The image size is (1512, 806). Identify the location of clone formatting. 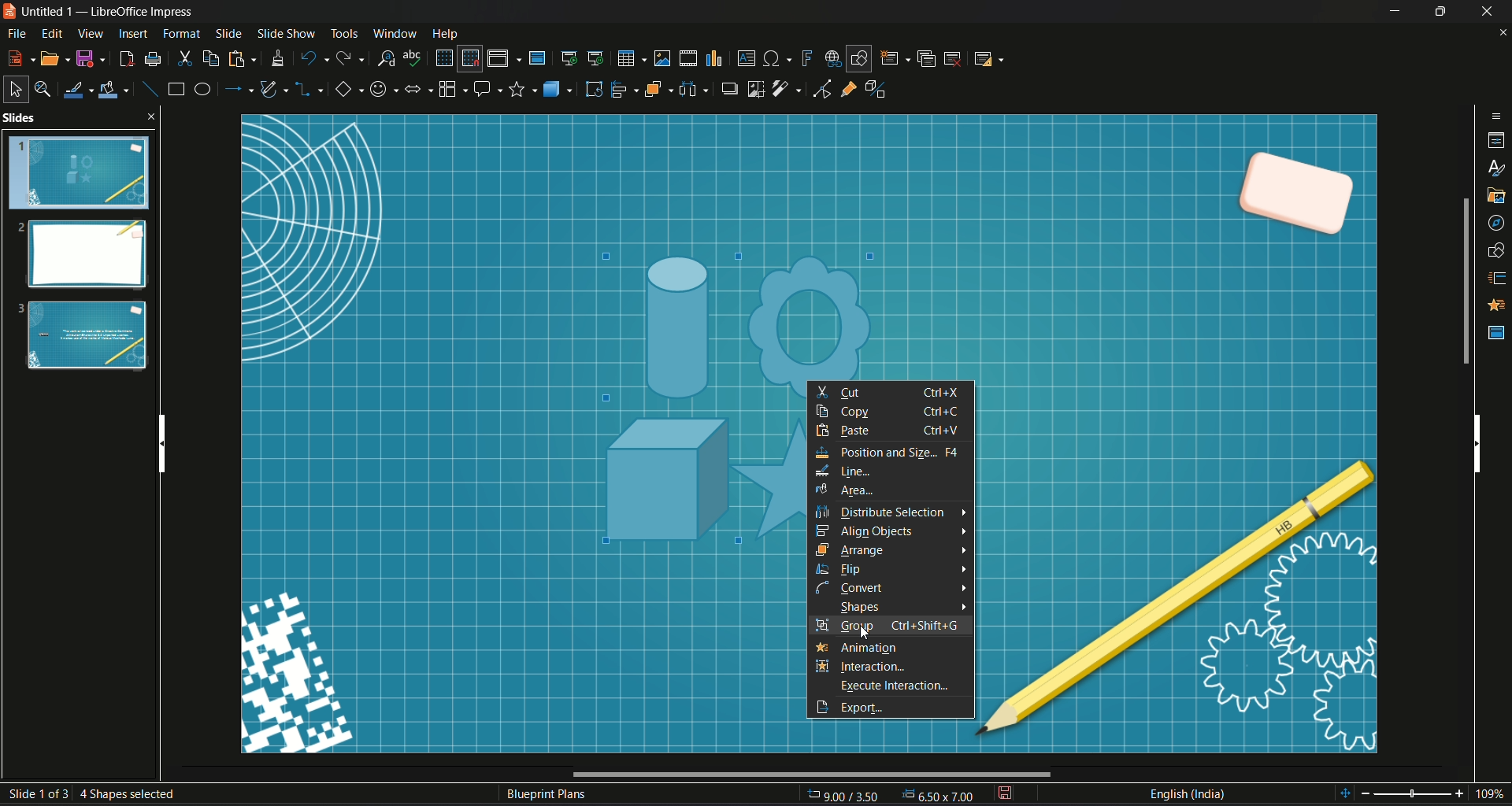
(277, 58).